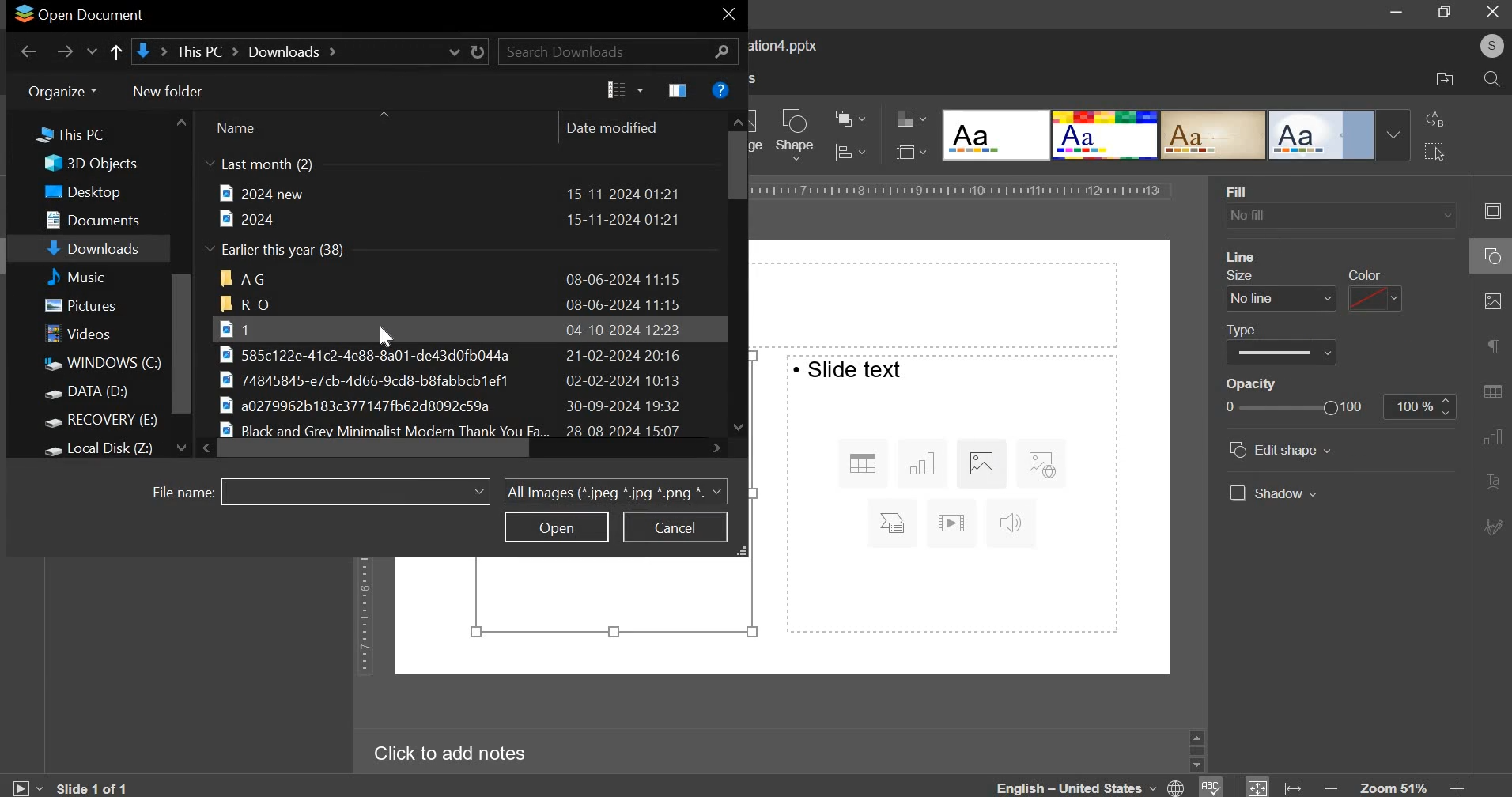 The width and height of the screenshot is (1512, 797). I want to click on graph setting, so click(1491, 436).